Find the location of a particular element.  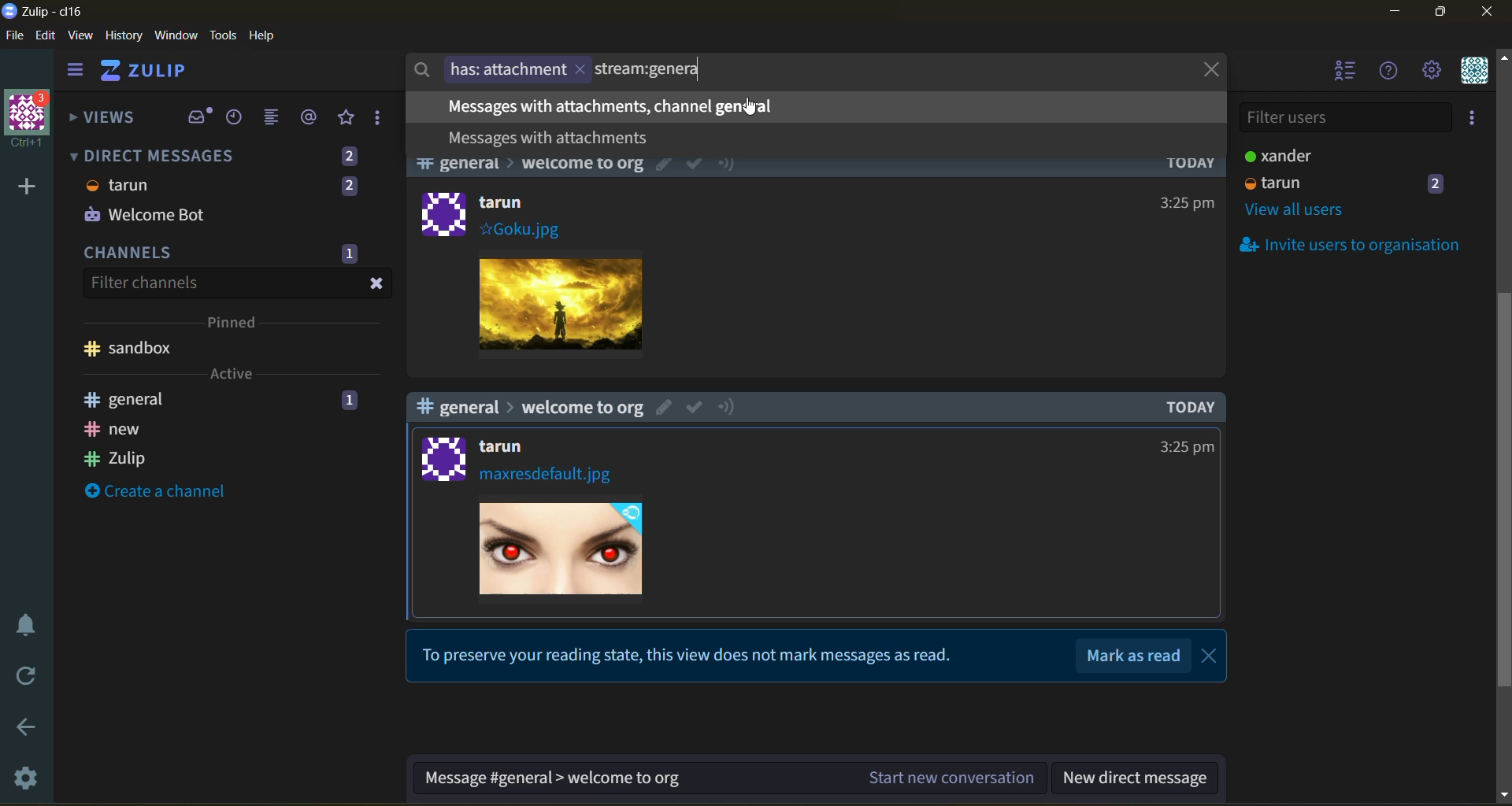

# general is located at coordinates (130, 399).